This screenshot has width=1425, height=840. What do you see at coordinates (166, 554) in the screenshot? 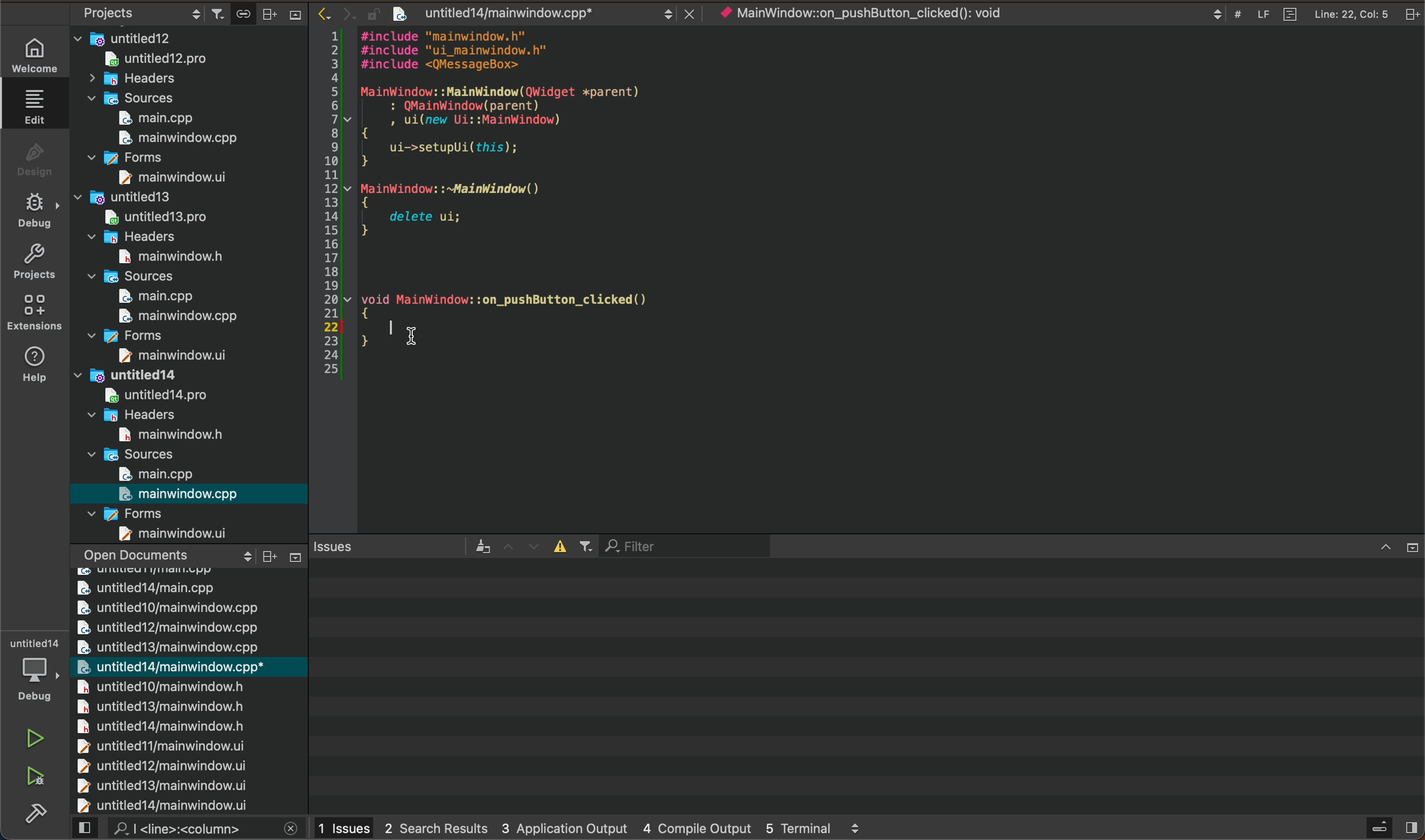
I see `open documents` at bounding box center [166, 554].